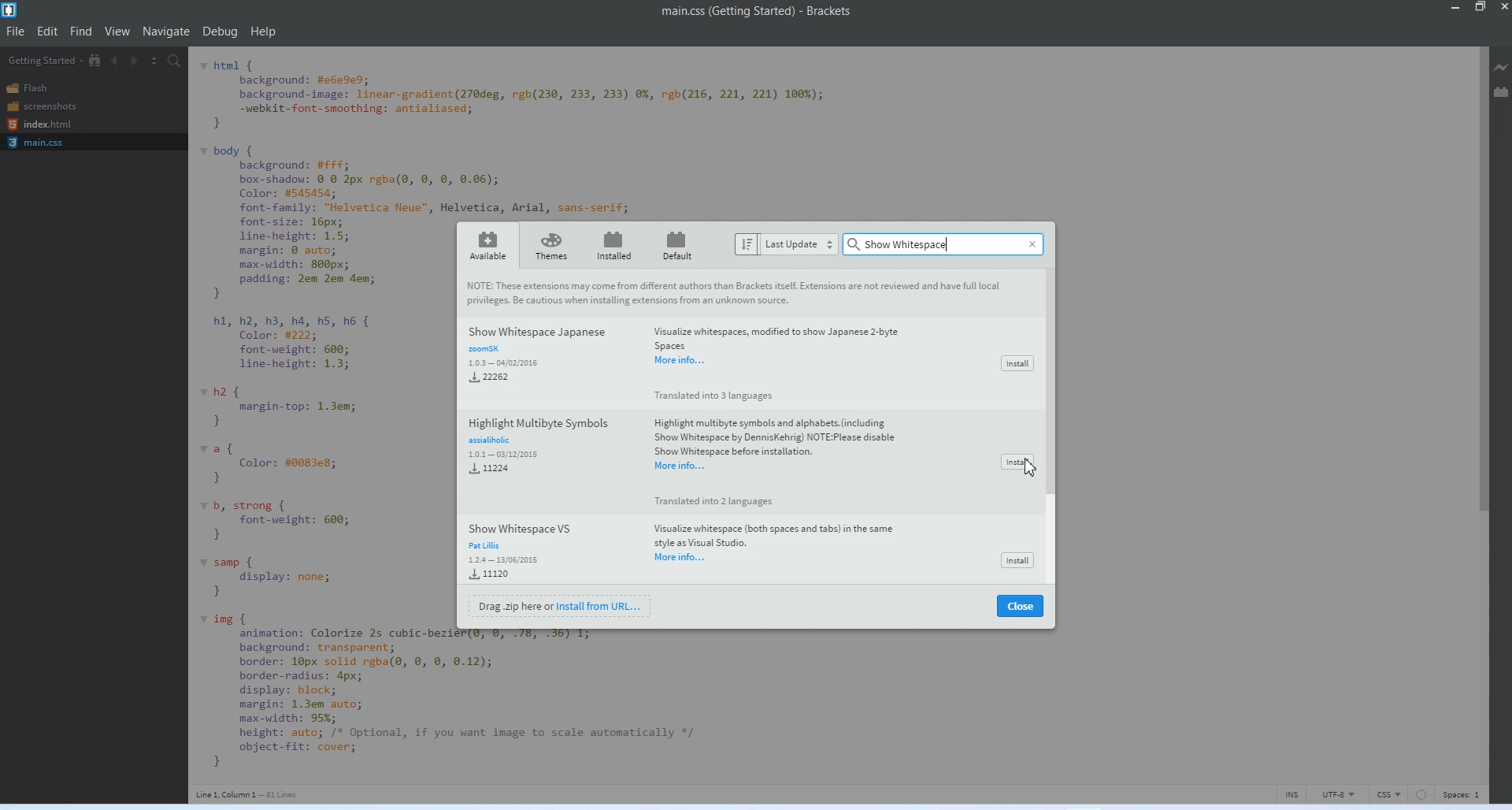  Describe the element at coordinates (487, 244) in the screenshot. I see `Available` at that location.